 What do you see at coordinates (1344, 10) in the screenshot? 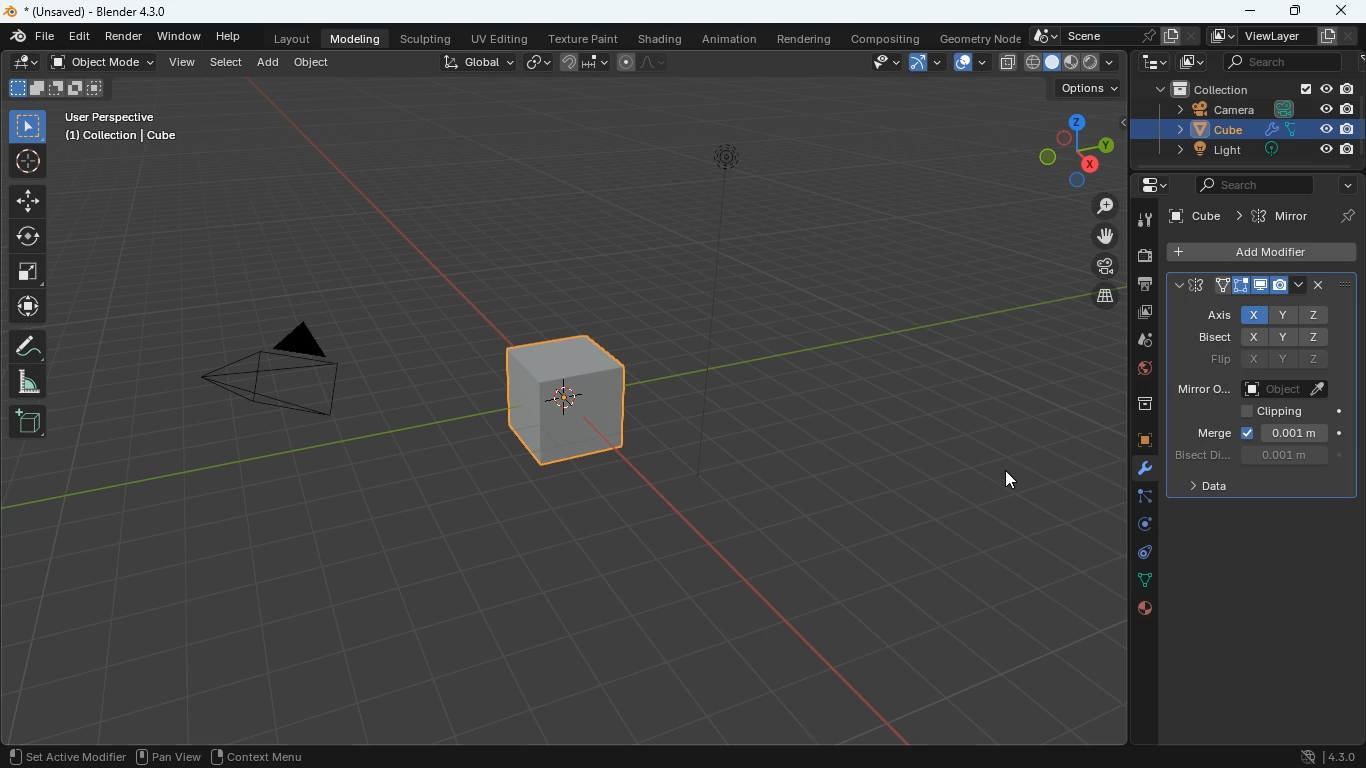
I see `close` at bounding box center [1344, 10].